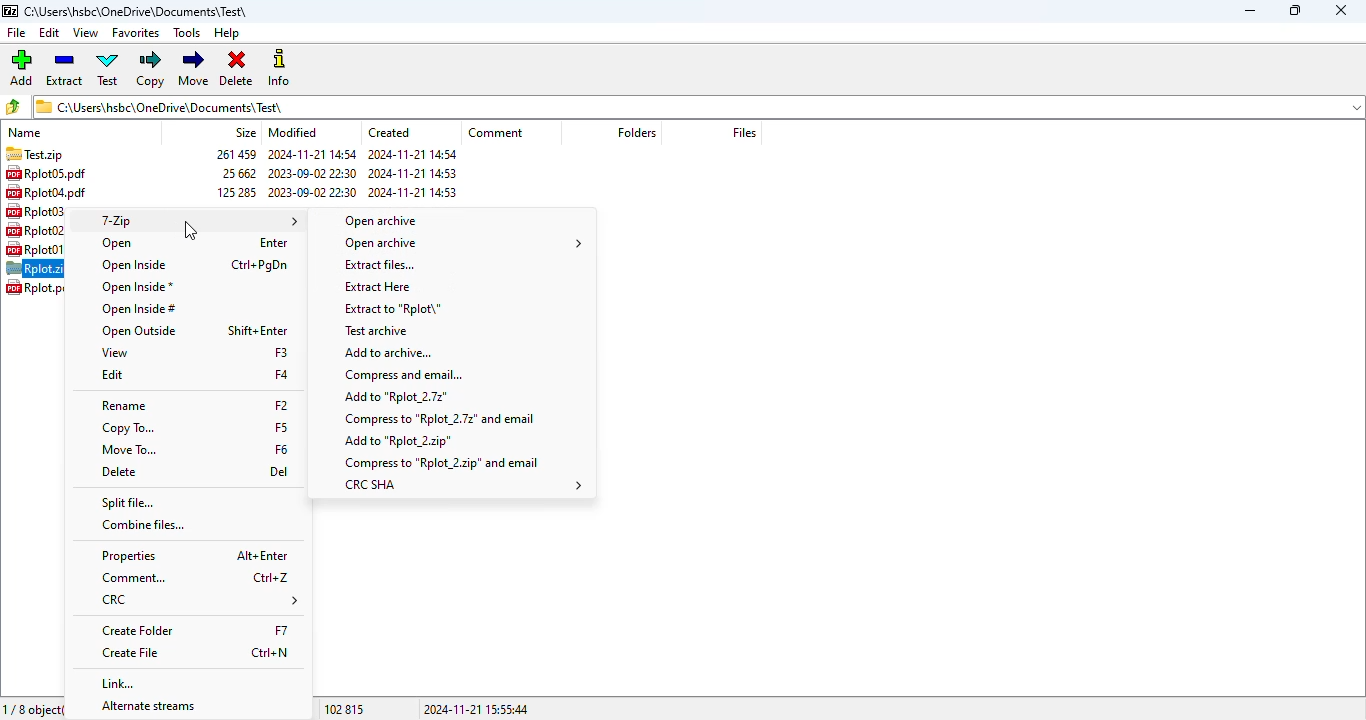  I want to click on edit, so click(112, 375).